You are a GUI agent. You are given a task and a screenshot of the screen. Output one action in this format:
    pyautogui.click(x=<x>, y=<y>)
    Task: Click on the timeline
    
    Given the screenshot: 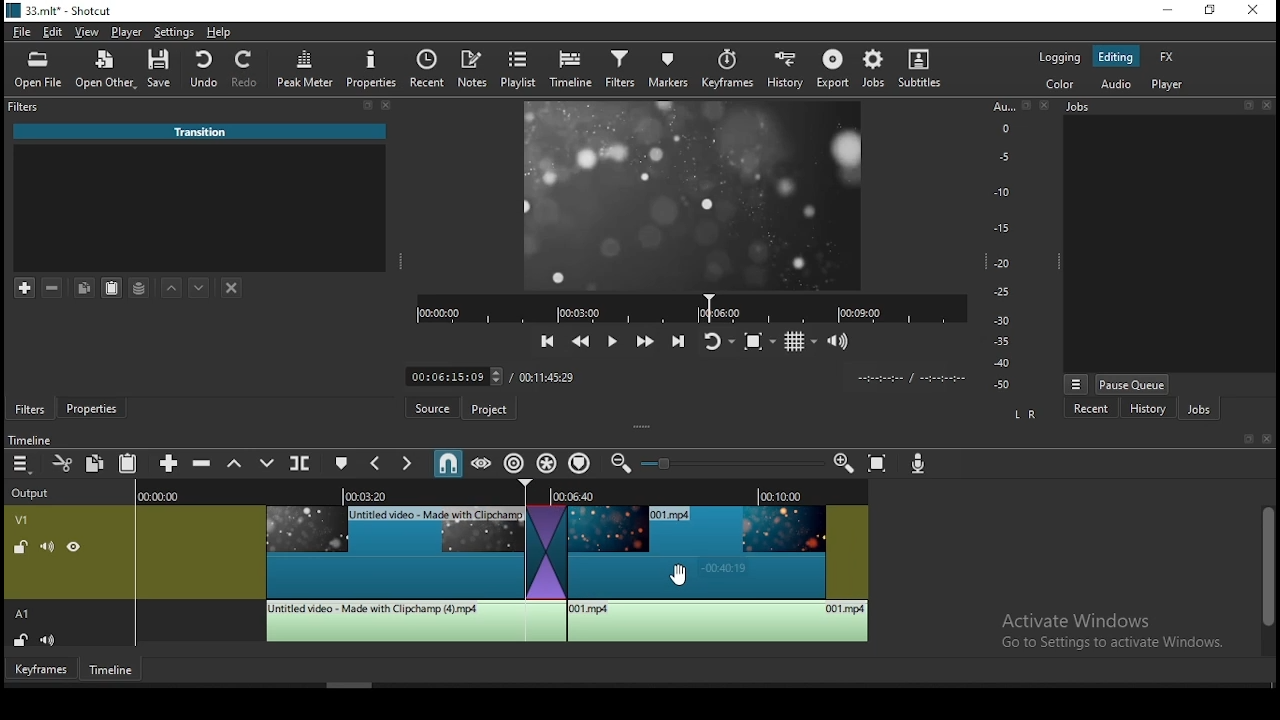 What is the action you would take?
    pyautogui.click(x=574, y=69)
    